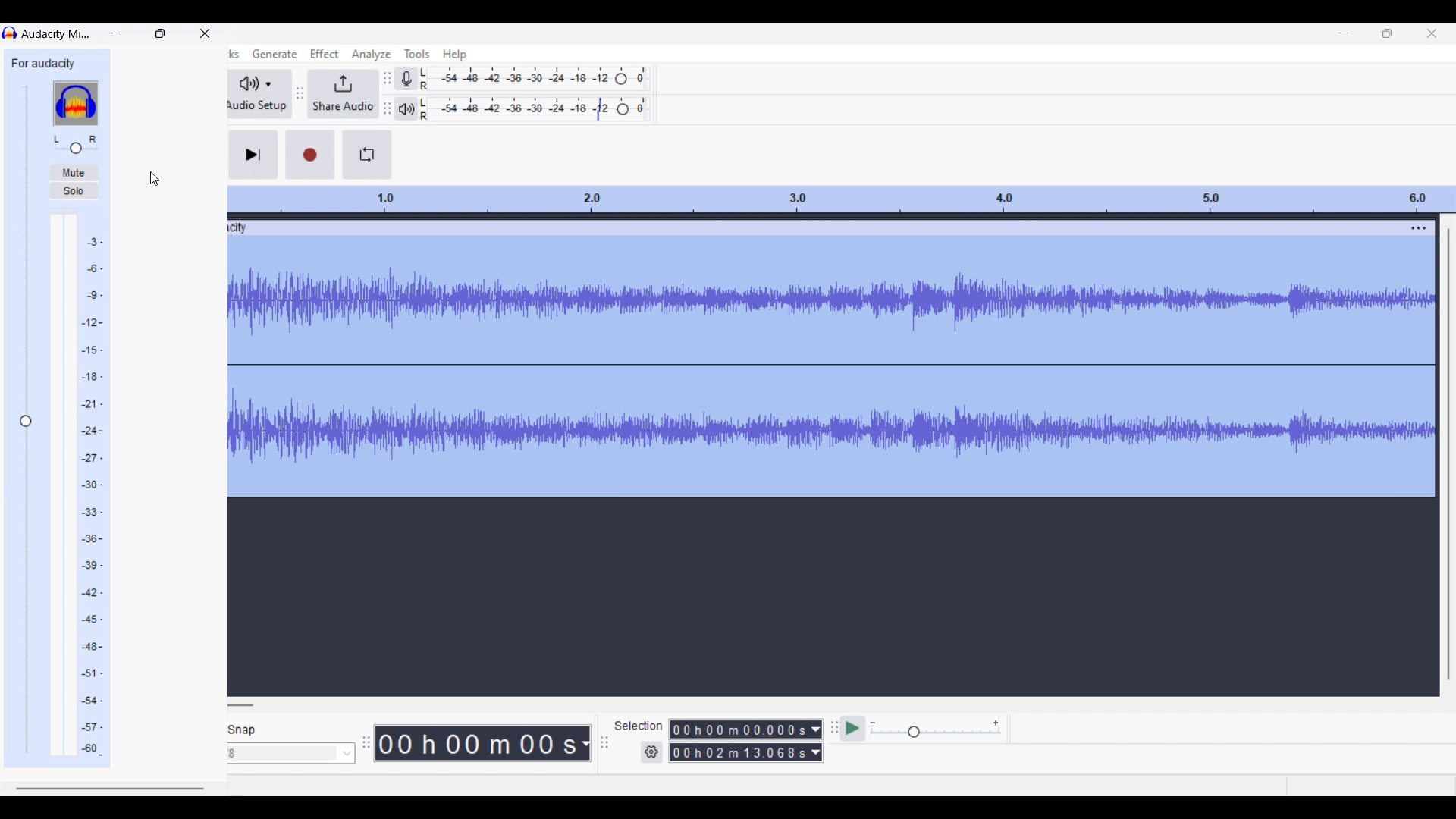 This screenshot has width=1456, height=819. What do you see at coordinates (372, 55) in the screenshot?
I see `Analyze menu` at bounding box center [372, 55].